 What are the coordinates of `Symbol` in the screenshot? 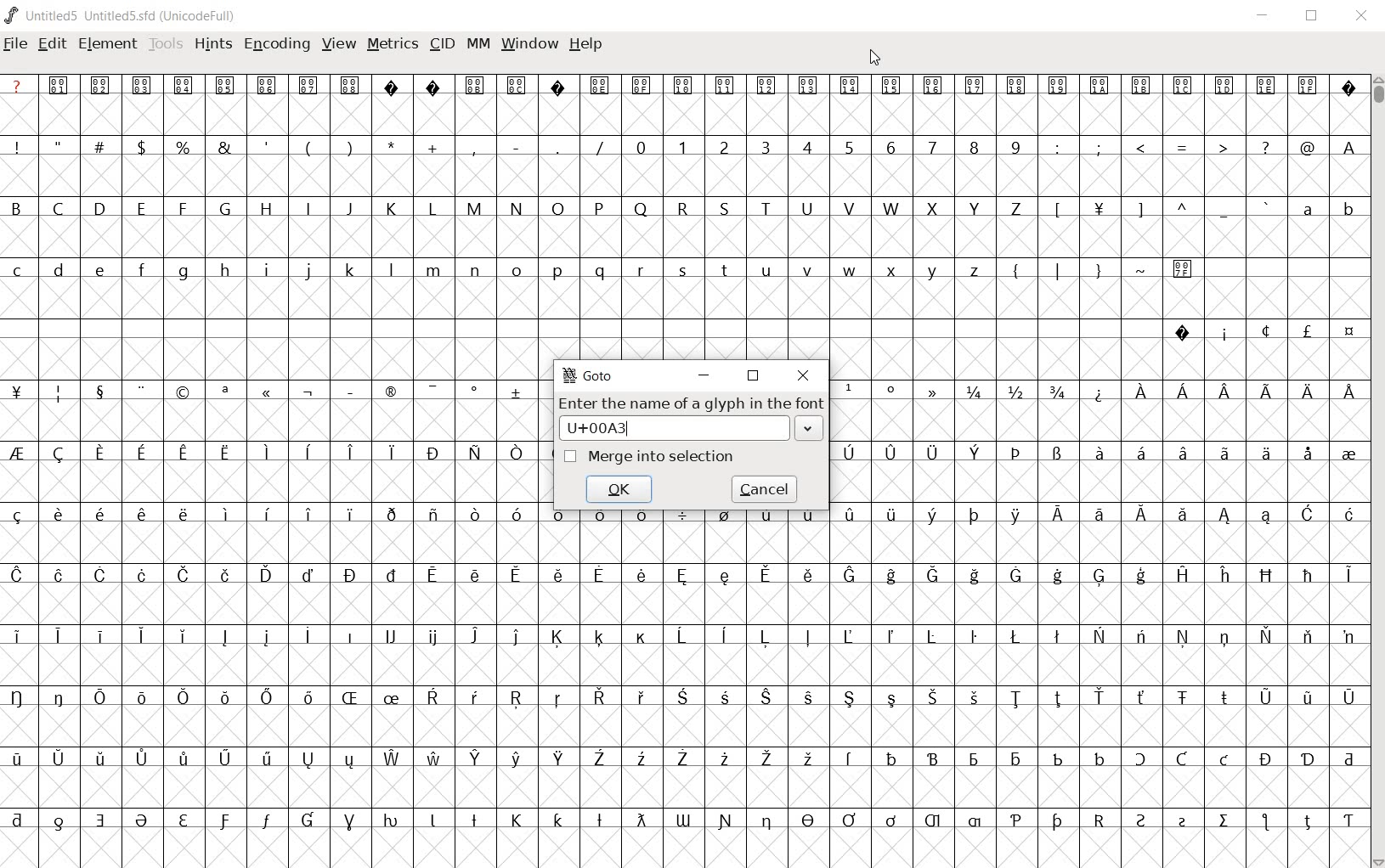 It's located at (975, 697).